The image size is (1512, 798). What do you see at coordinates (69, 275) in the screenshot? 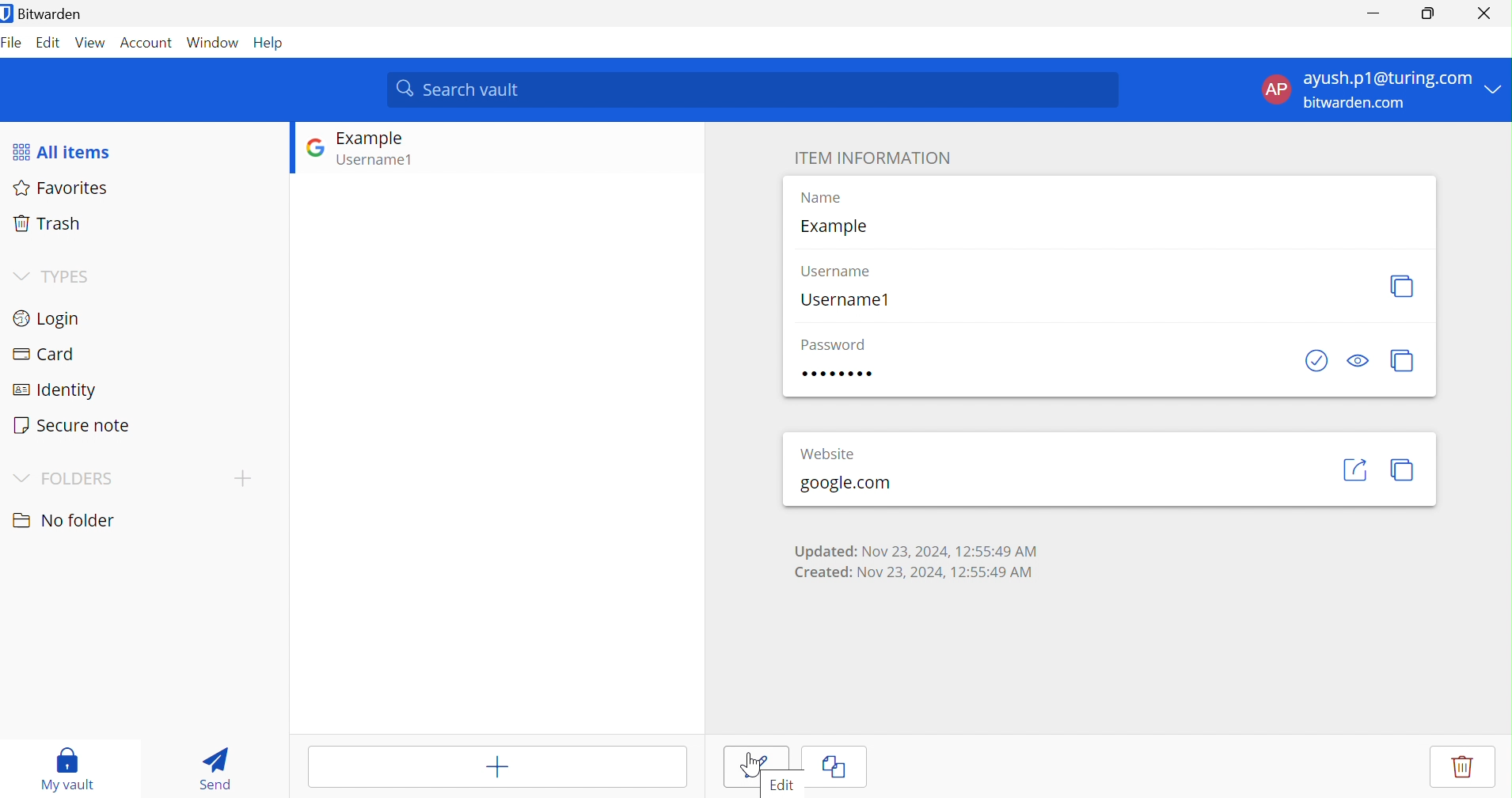
I see `TYPES` at bounding box center [69, 275].